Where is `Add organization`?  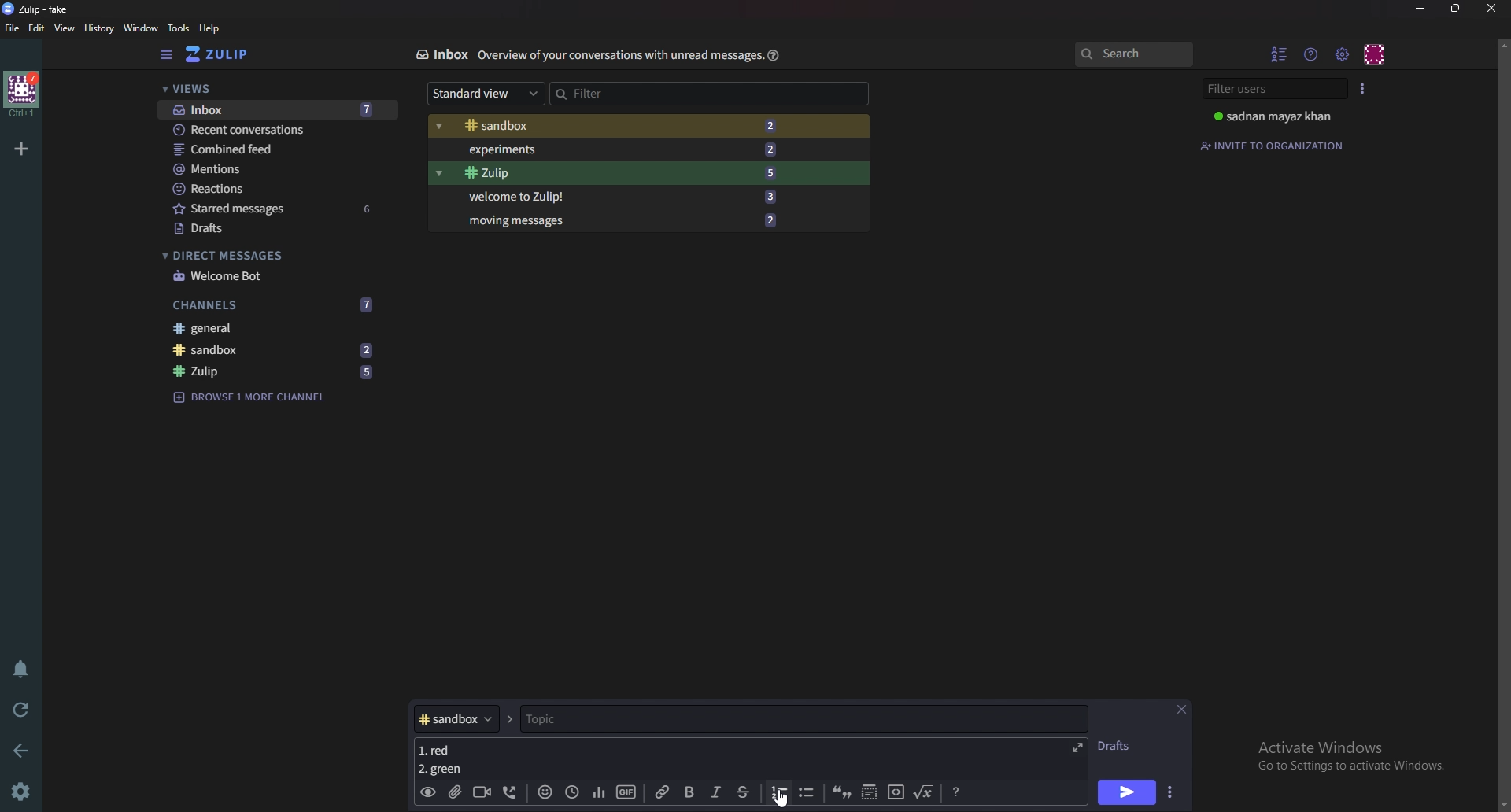 Add organization is located at coordinates (23, 146).